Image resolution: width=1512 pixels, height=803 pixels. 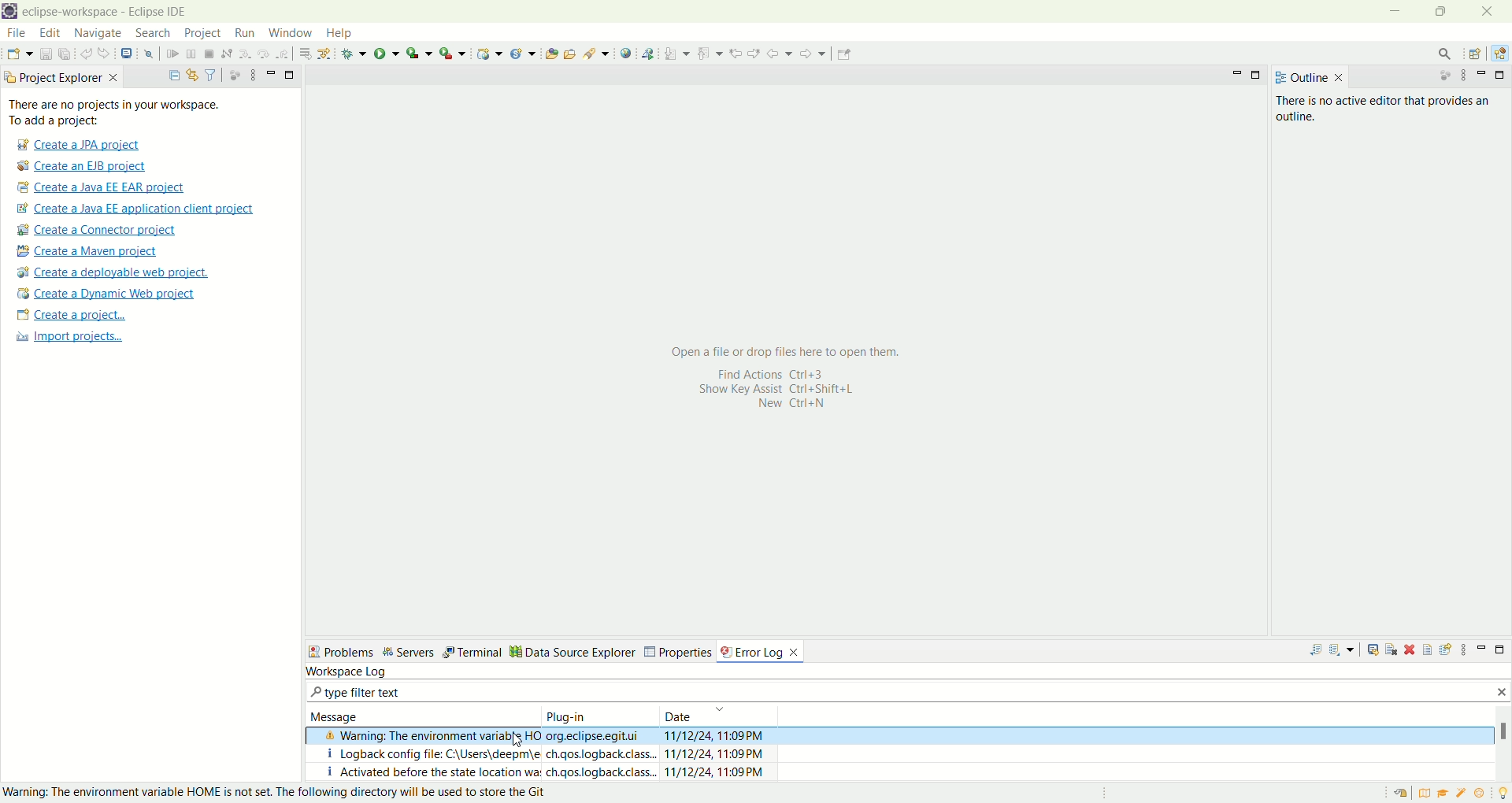 What do you see at coordinates (65, 54) in the screenshot?
I see `save all` at bounding box center [65, 54].